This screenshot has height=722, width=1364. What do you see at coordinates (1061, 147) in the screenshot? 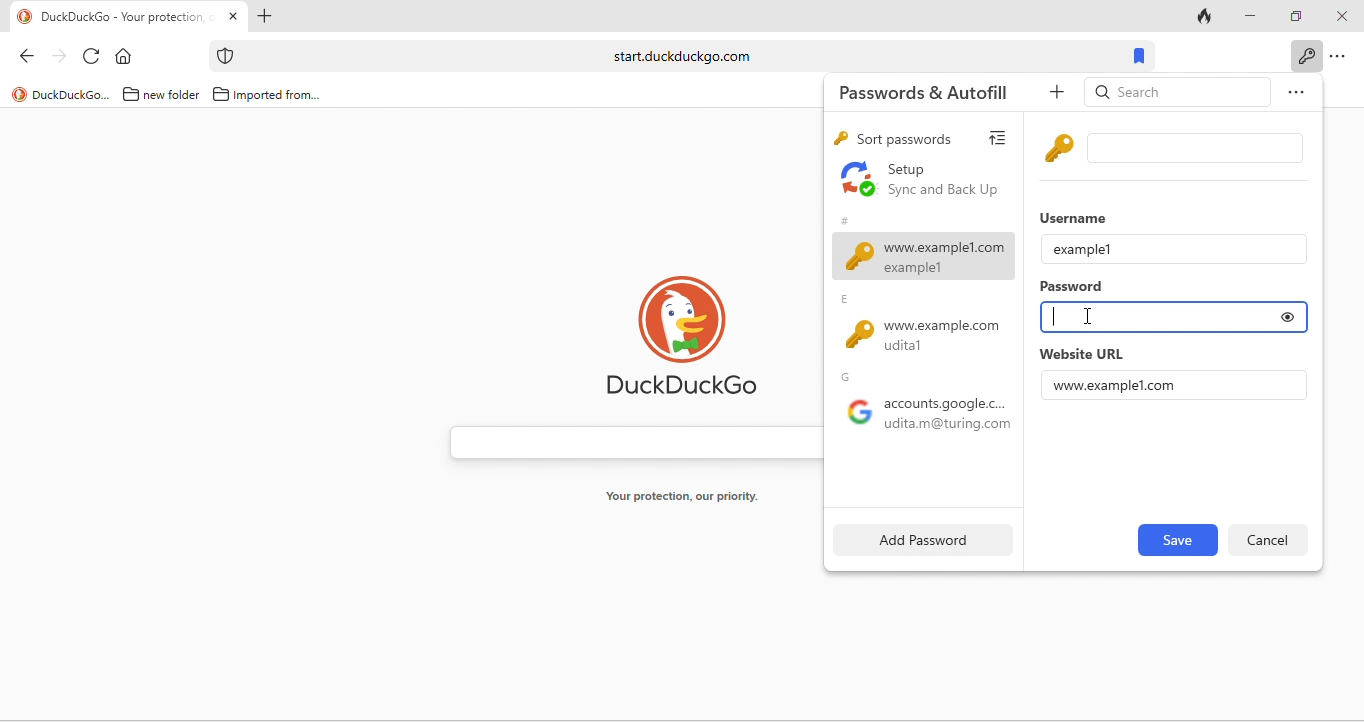
I see `key icon` at bounding box center [1061, 147].